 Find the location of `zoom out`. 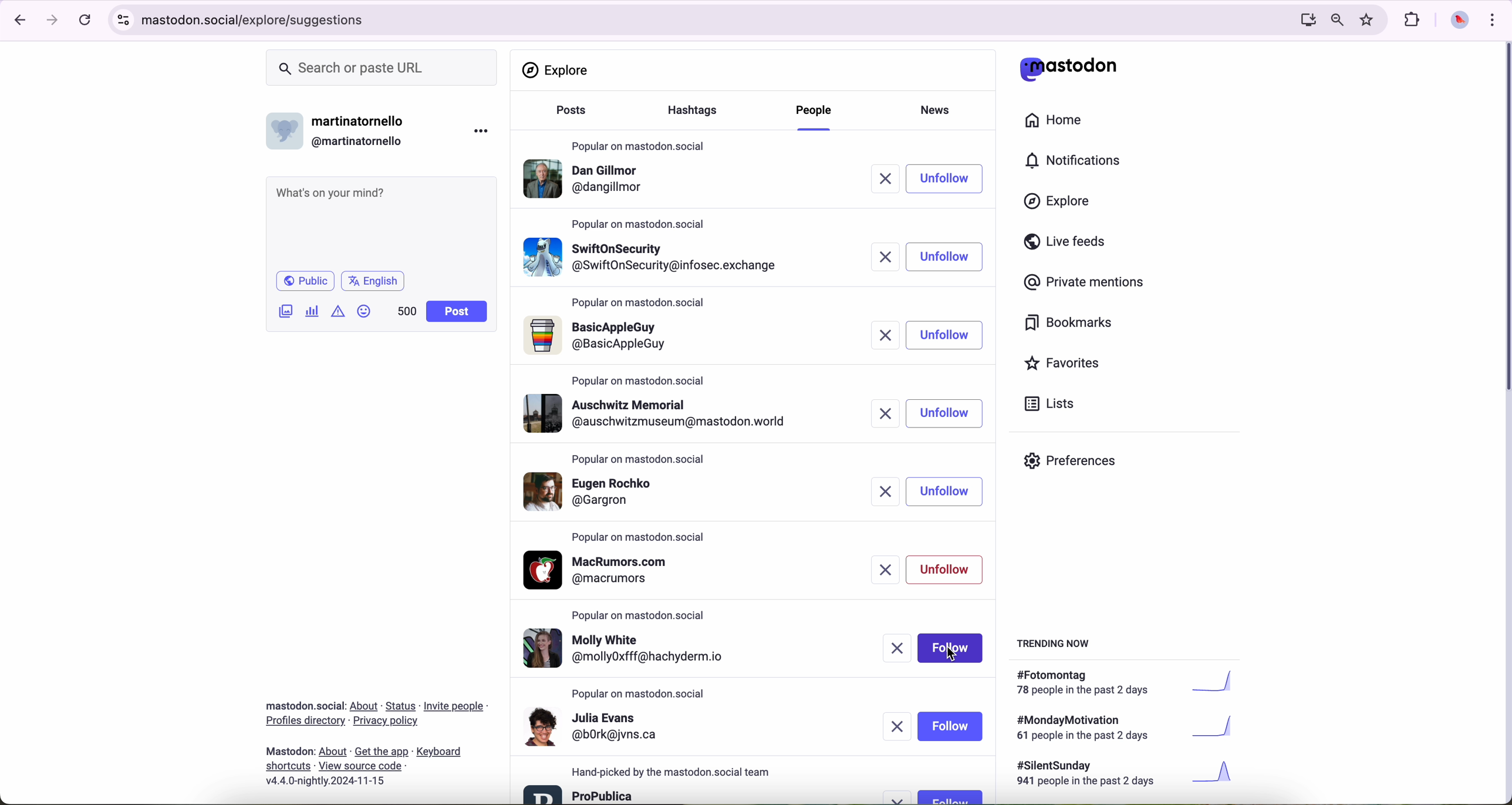

zoom out is located at coordinates (1336, 19).